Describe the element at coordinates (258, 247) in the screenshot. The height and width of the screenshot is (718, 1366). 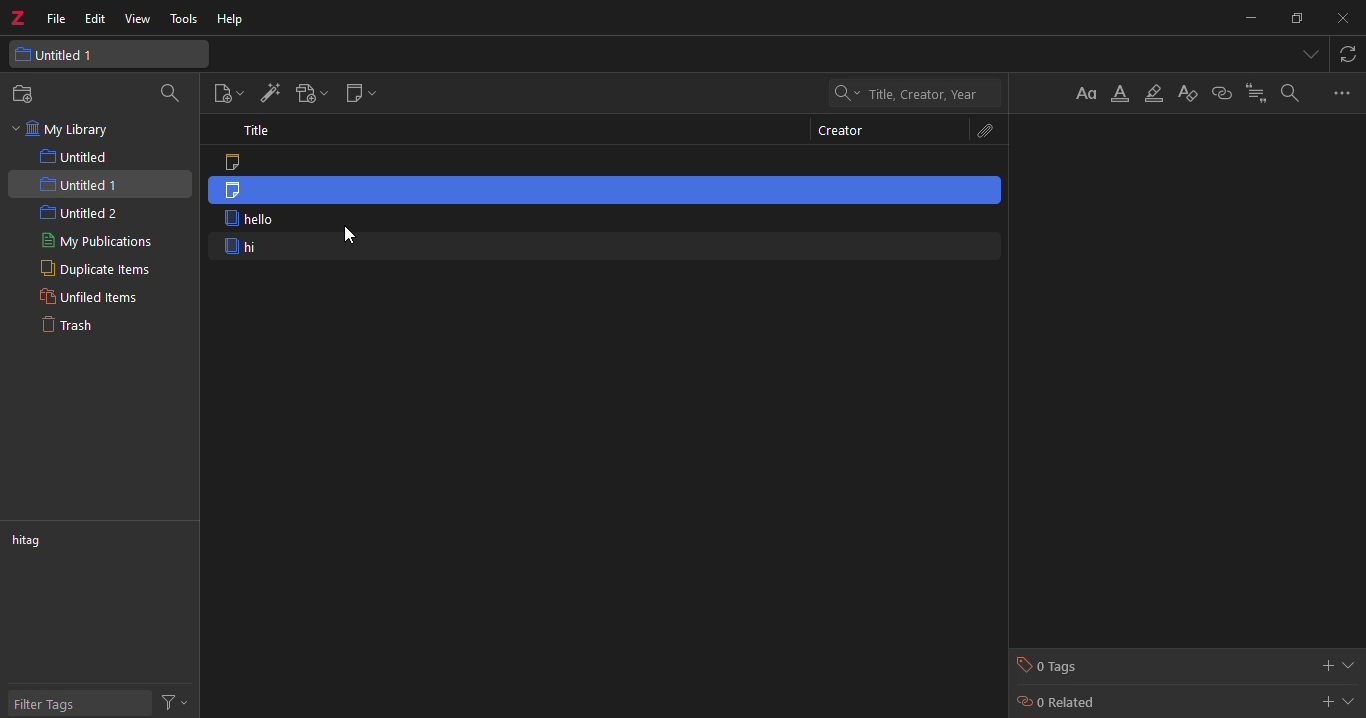
I see `hi` at that location.